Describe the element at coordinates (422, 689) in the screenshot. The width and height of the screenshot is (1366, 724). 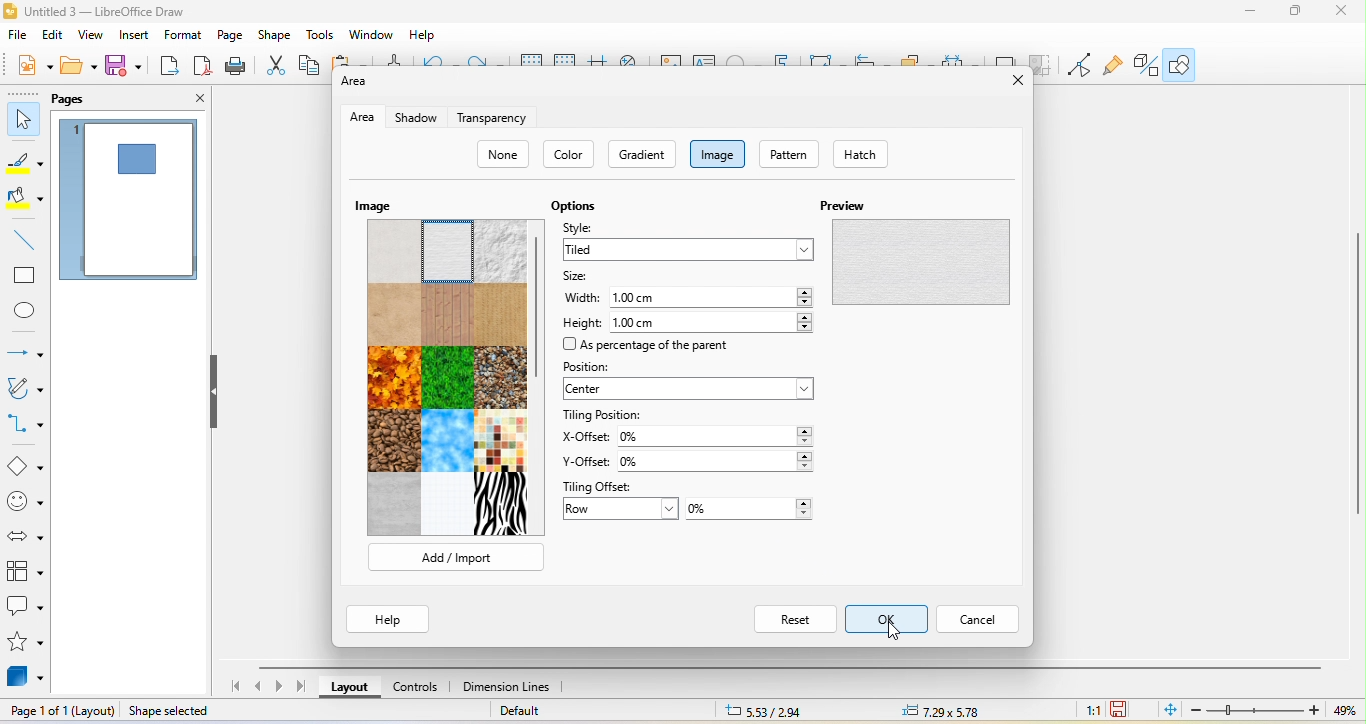
I see `controls` at that location.